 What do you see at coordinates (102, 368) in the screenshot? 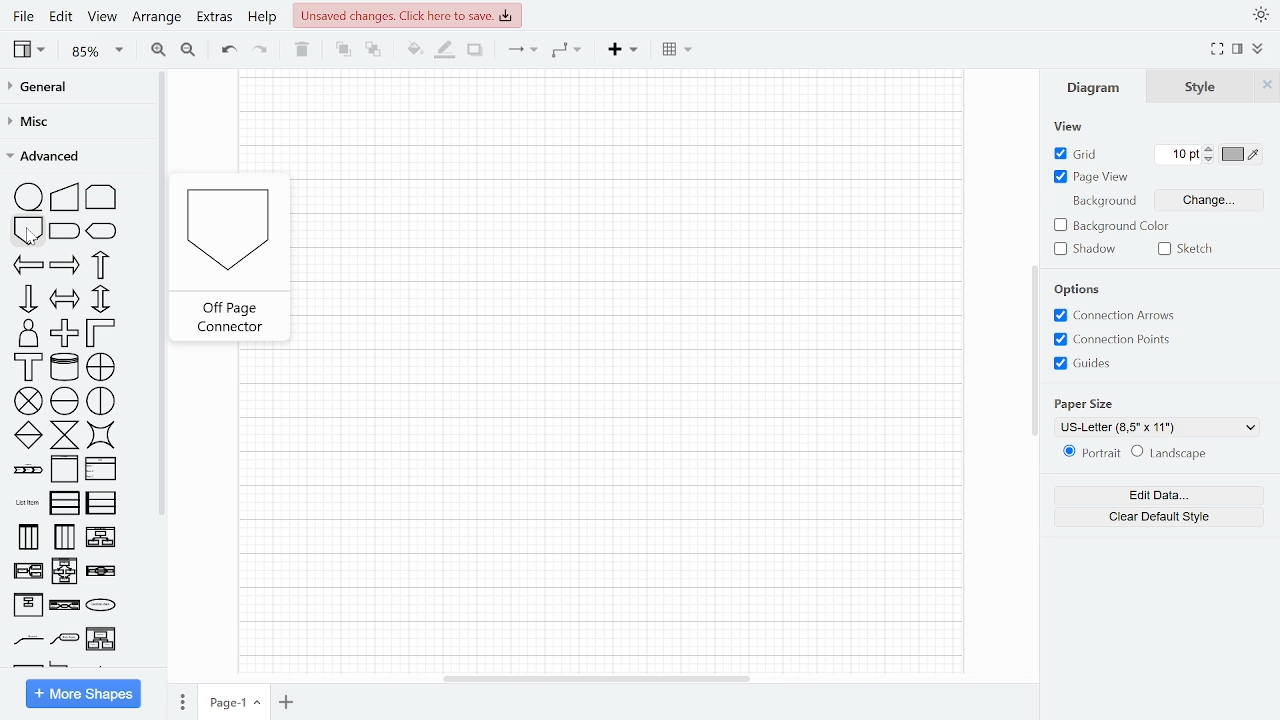
I see `or` at bounding box center [102, 368].